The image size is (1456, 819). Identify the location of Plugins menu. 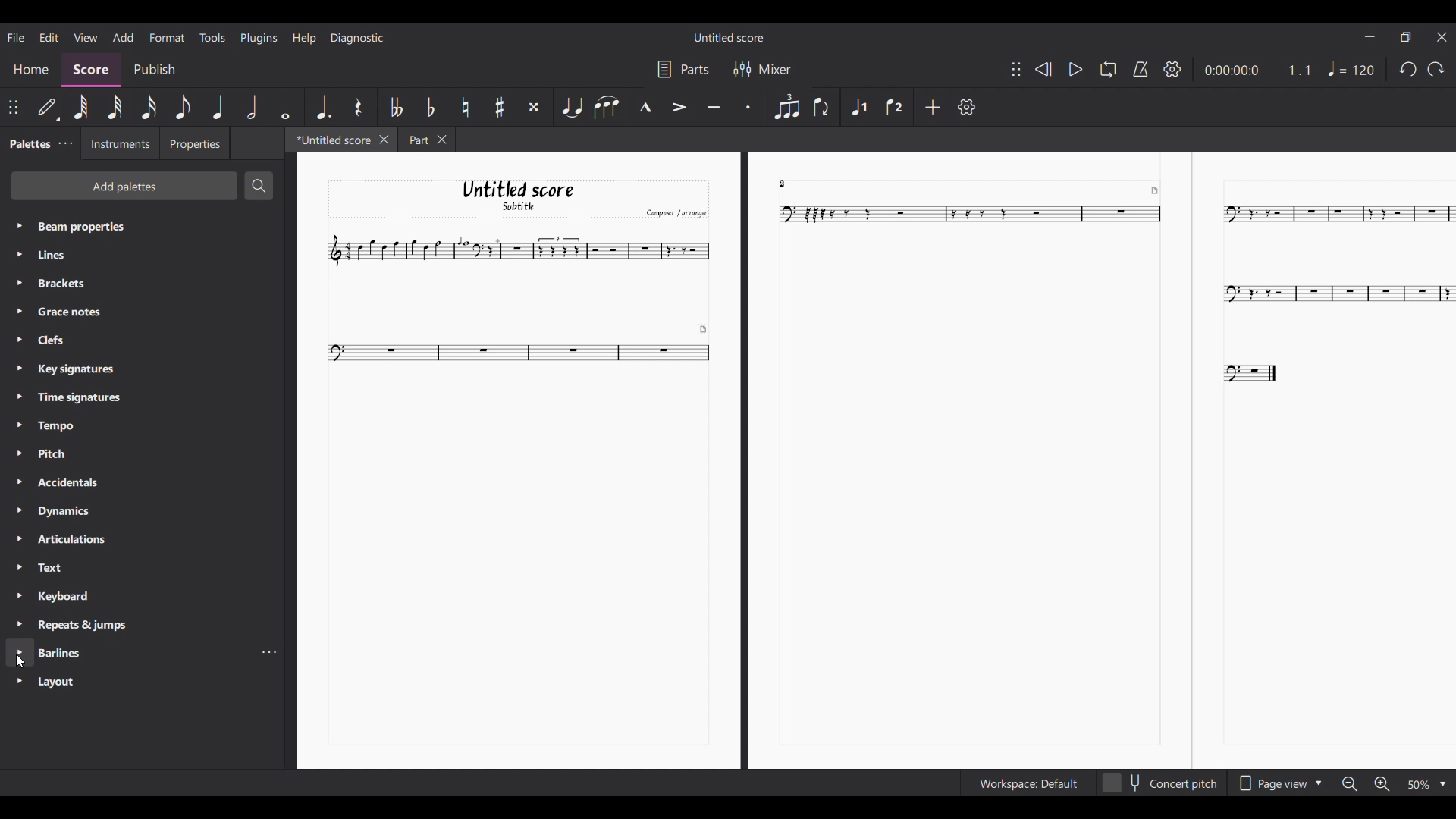
(259, 38).